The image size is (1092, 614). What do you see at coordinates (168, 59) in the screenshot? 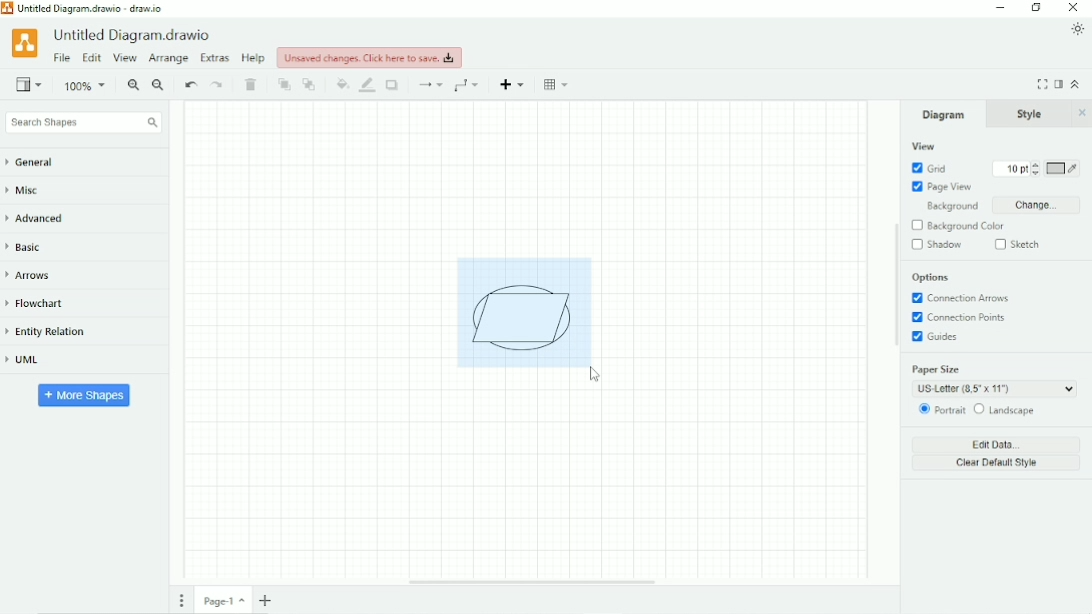
I see `Arrange` at bounding box center [168, 59].